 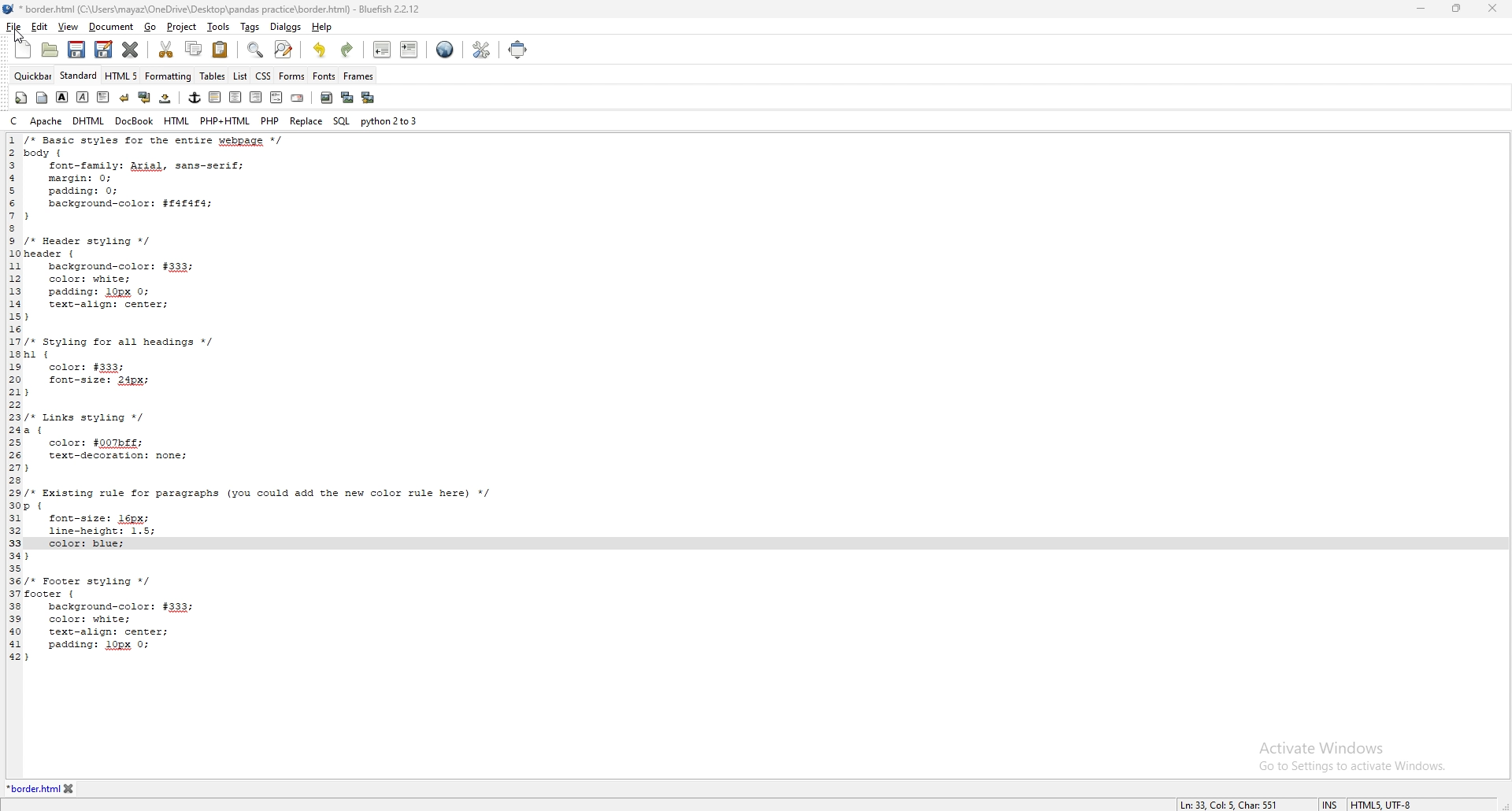 What do you see at coordinates (256, 50) in the screenshot?
I see `show find bar` at bounding box center [256, 50].